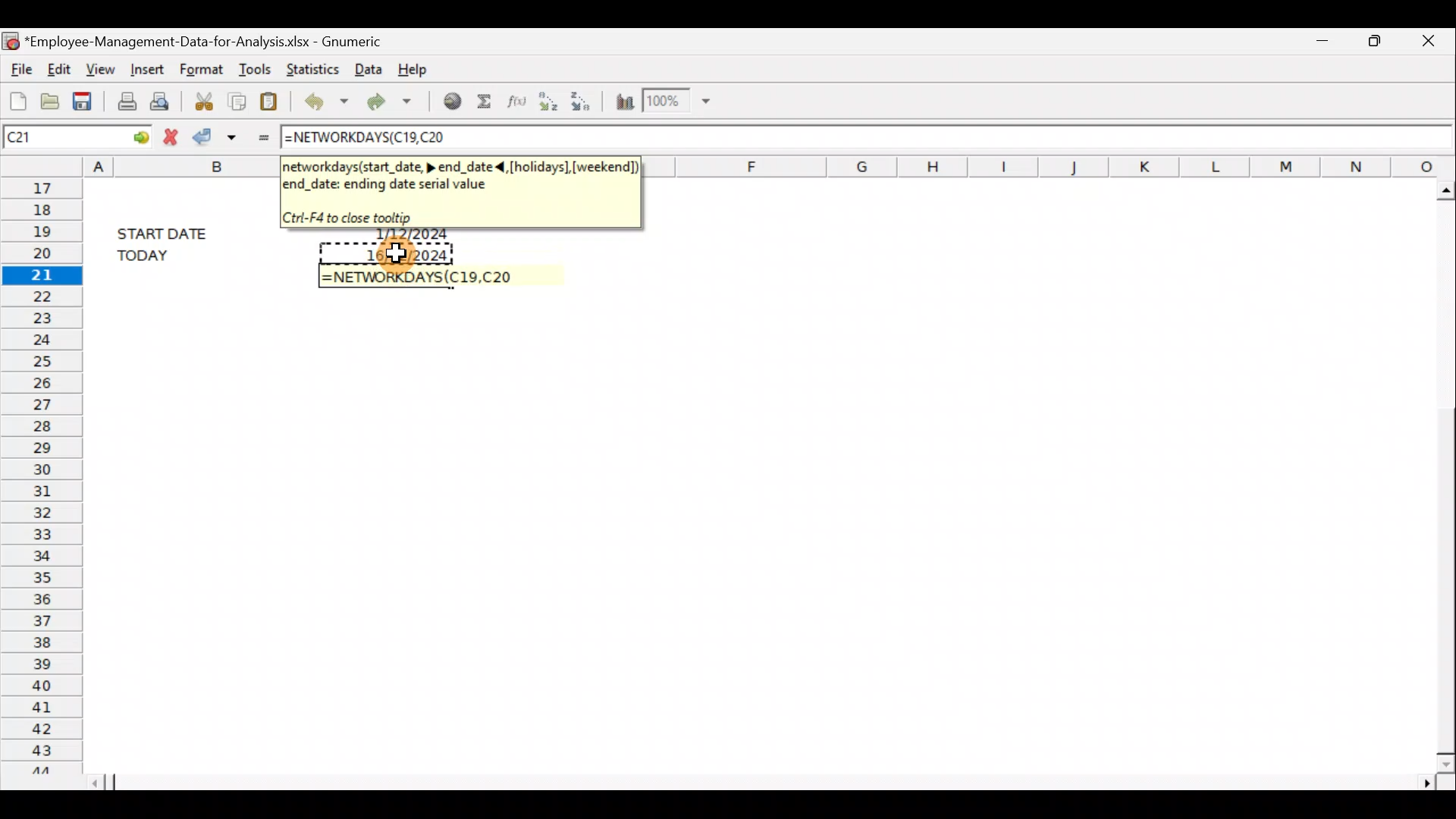  I want to click on 1/12/2024, so click(413, 235).